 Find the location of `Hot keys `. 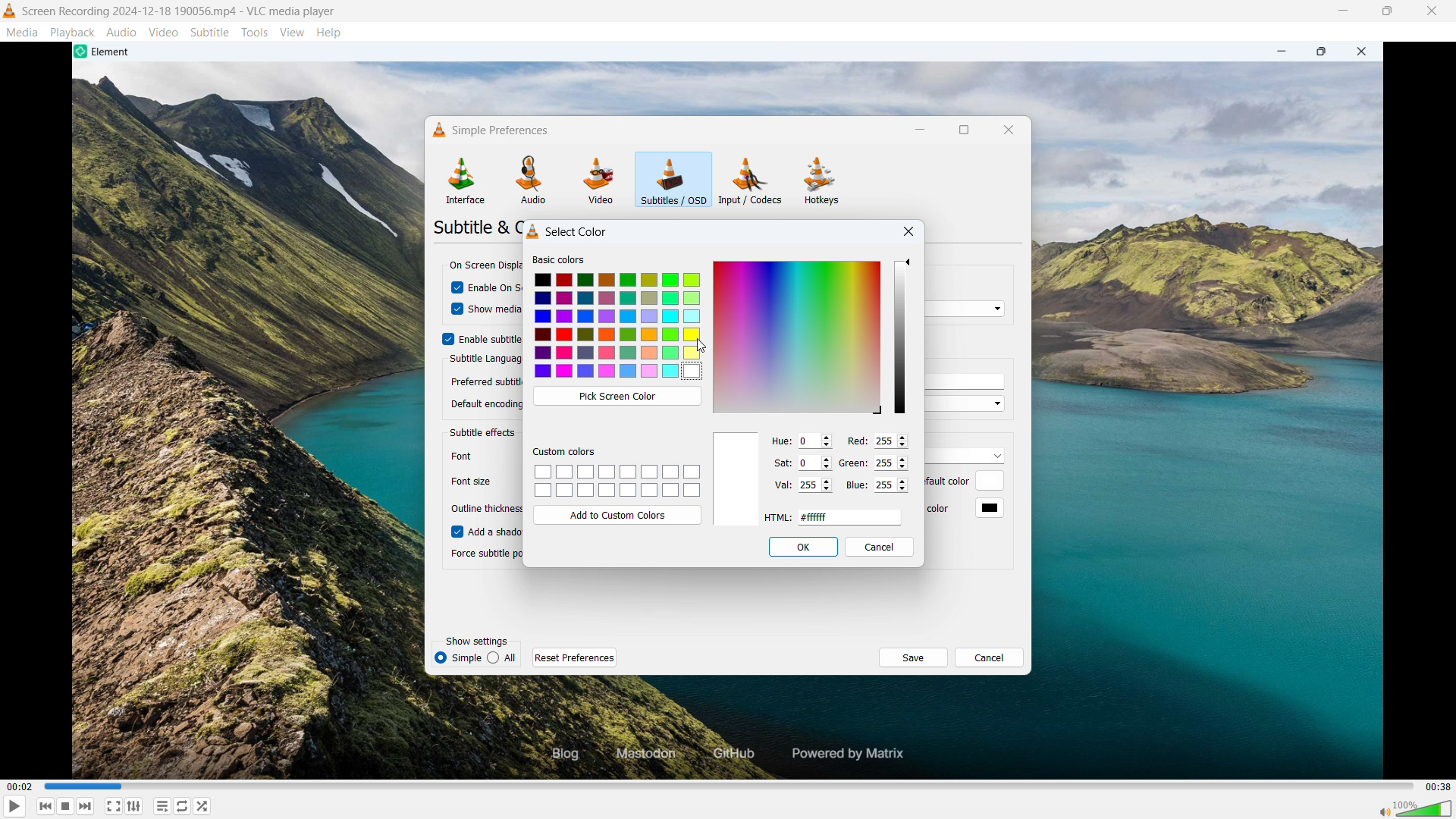

Hot keys  is located at coordinates (821, 181).